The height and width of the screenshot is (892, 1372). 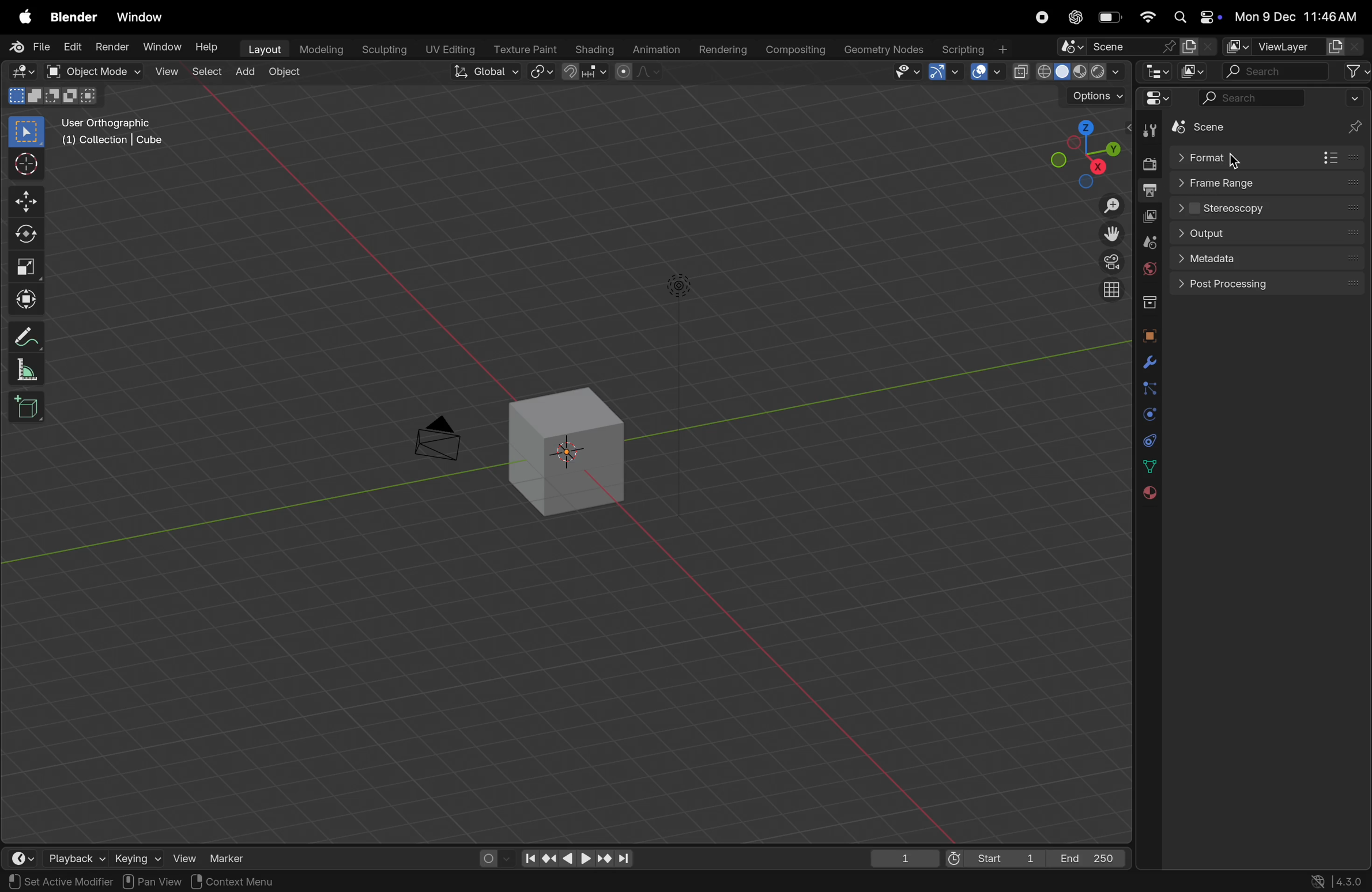 What do you see at coordinates (1134, 47) in the screenshot?
I see `scene` at bounding box center [1134, 47].